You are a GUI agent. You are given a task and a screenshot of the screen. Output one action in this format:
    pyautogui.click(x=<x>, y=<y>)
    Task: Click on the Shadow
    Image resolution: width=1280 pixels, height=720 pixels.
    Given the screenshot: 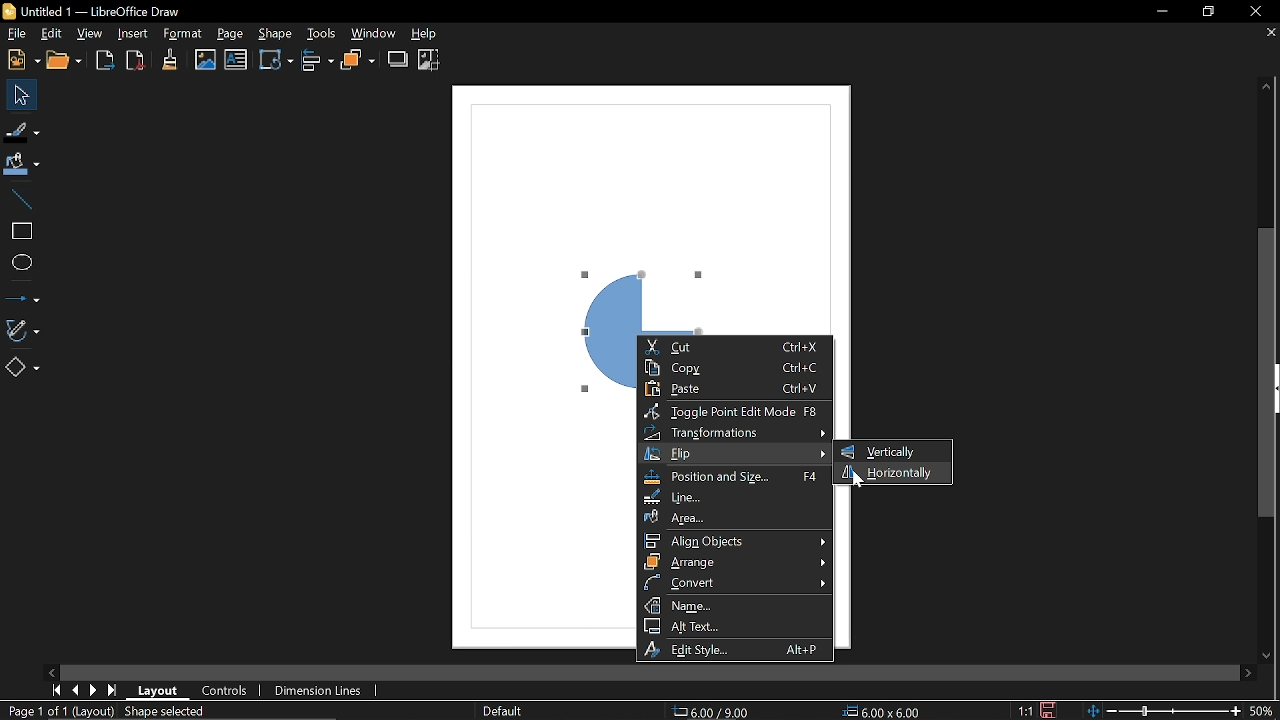 What is the action you would take?
    pyautogui.click(x=398, y=59)
    